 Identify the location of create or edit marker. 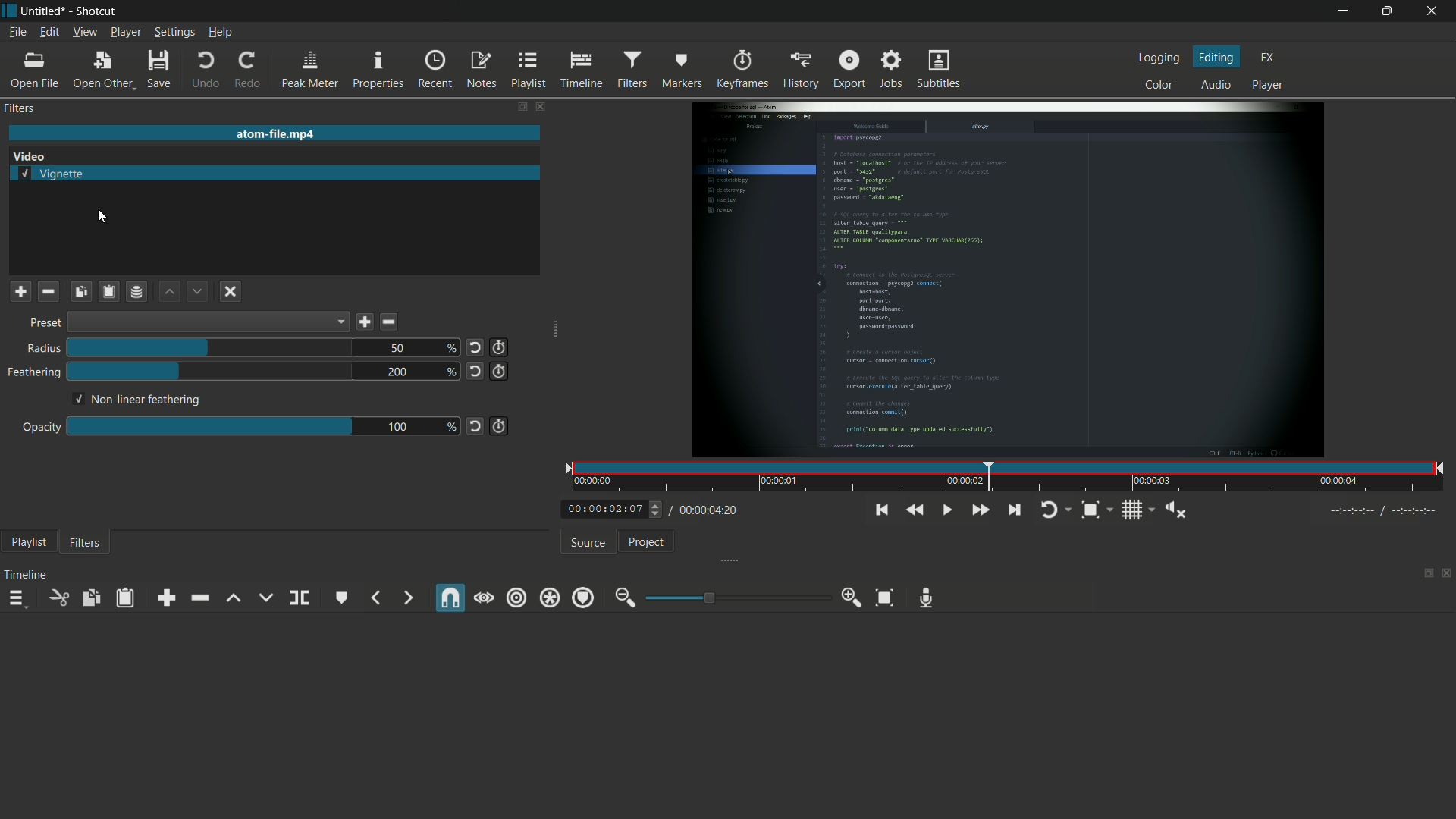
(343, 598).